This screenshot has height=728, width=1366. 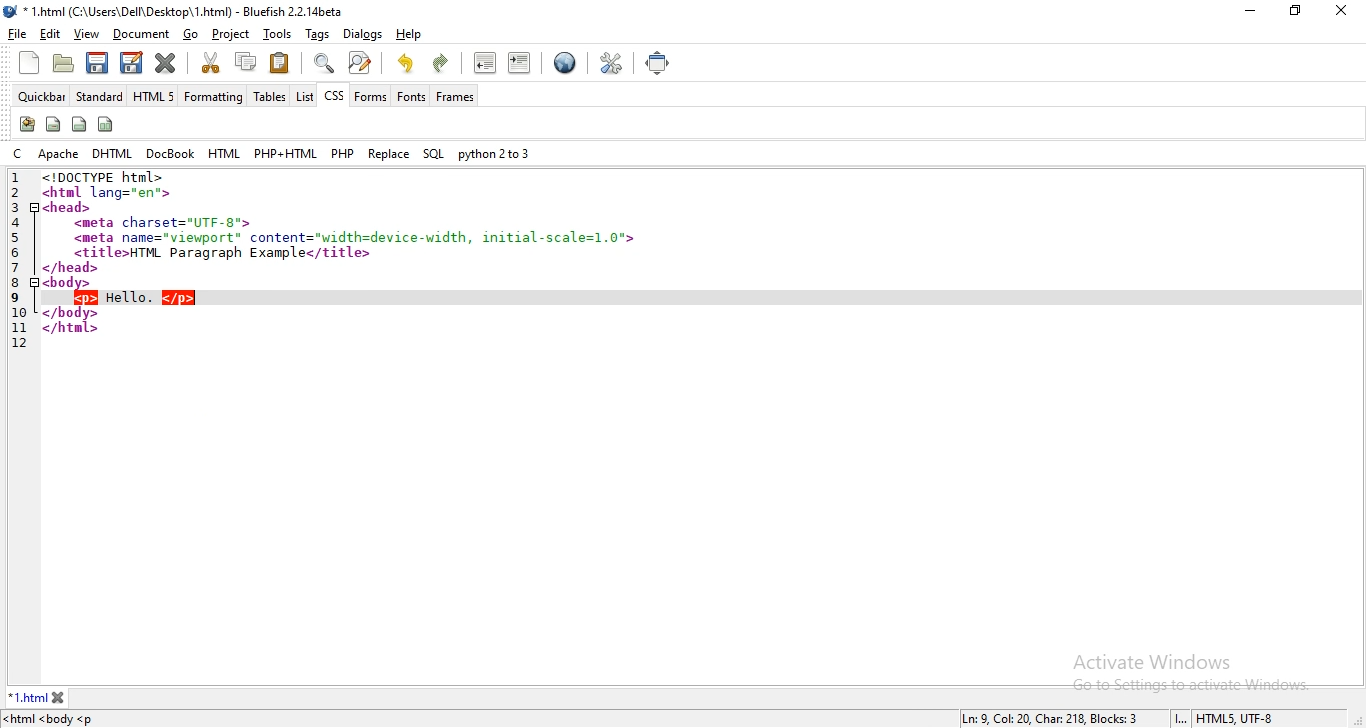 I want to click on fonts, so click(x=411, y=96).